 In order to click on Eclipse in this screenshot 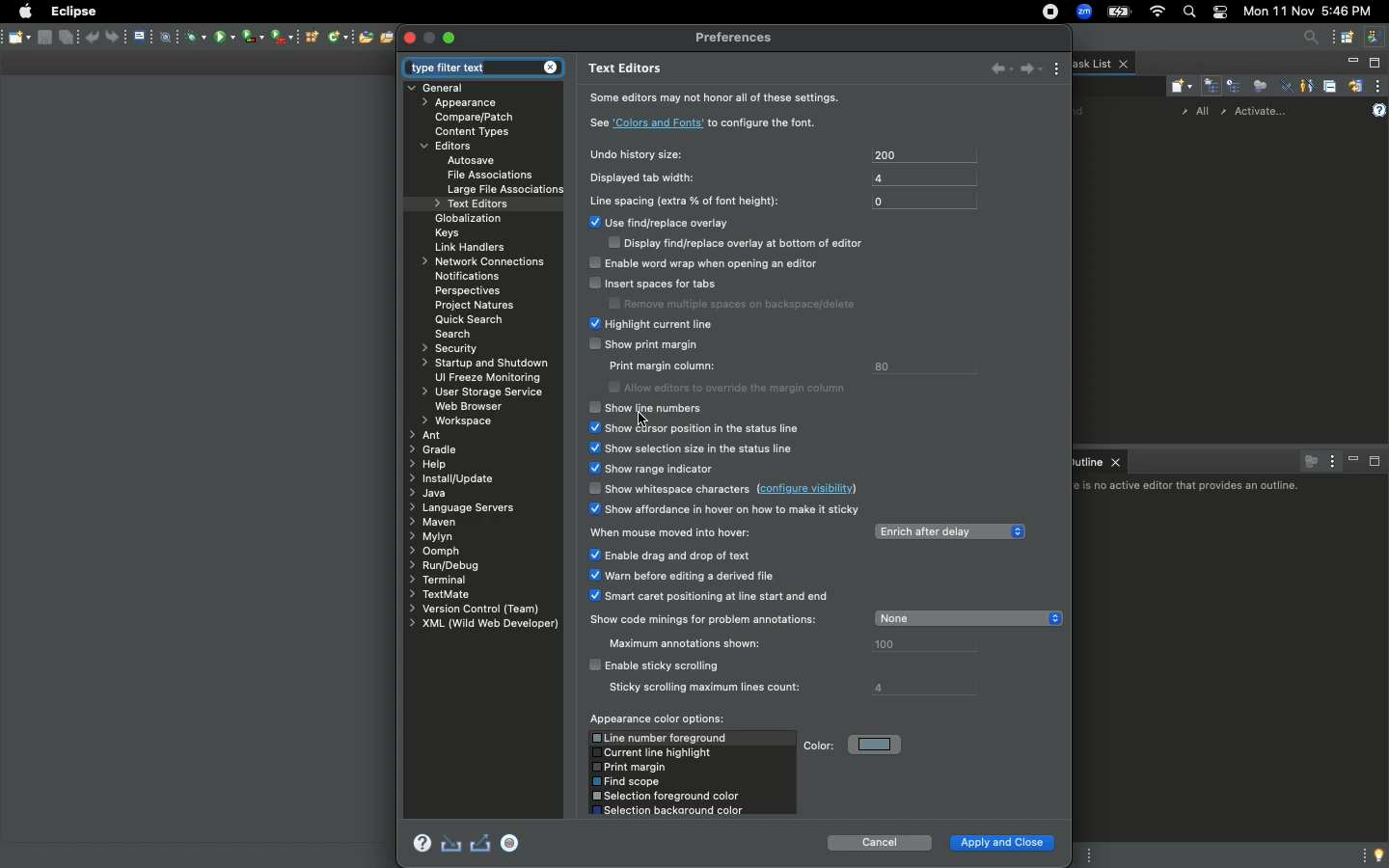, I will do `click(71, 11)`.